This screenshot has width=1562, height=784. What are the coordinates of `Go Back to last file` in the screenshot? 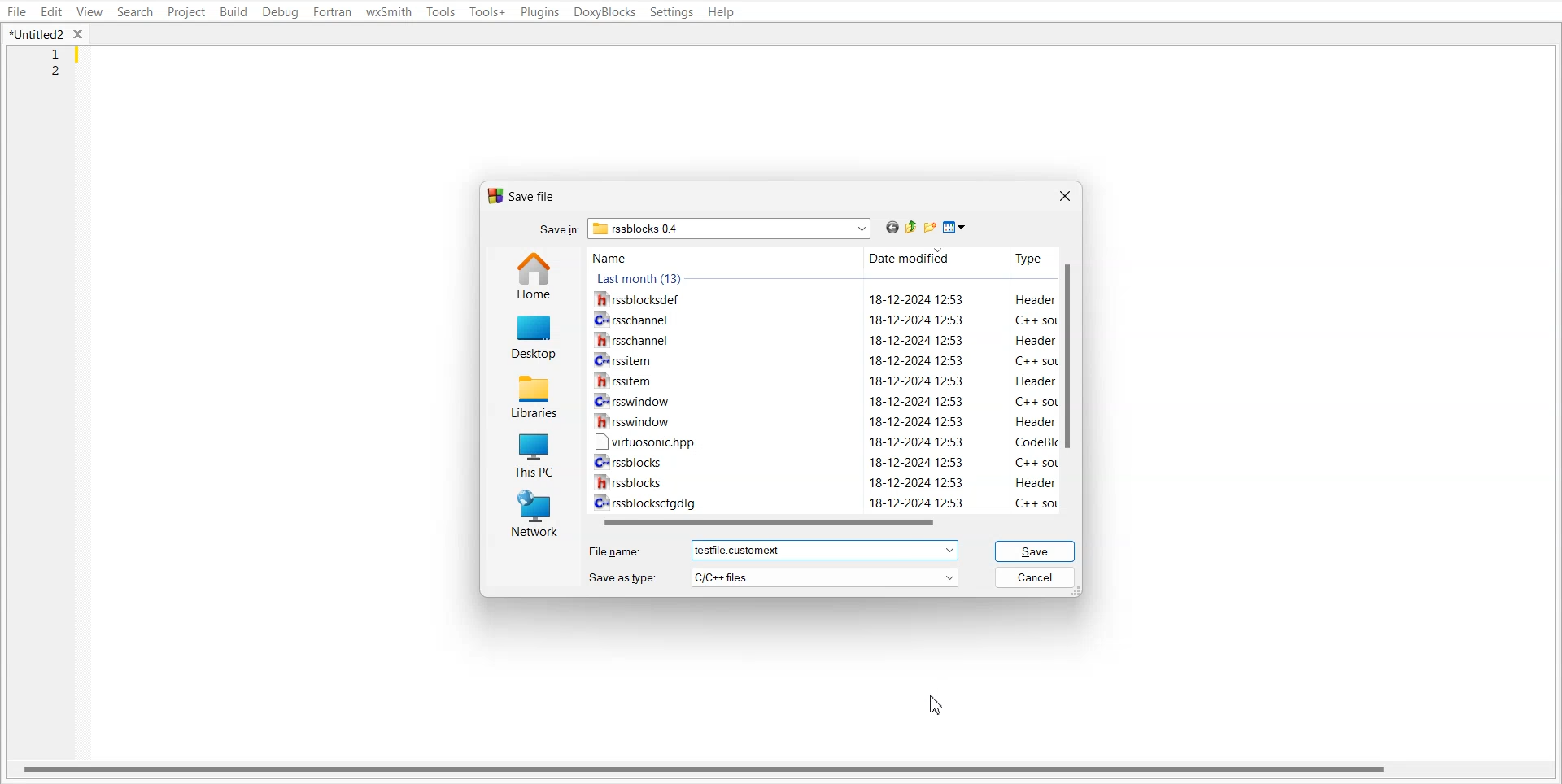 It's located at (892, 227).